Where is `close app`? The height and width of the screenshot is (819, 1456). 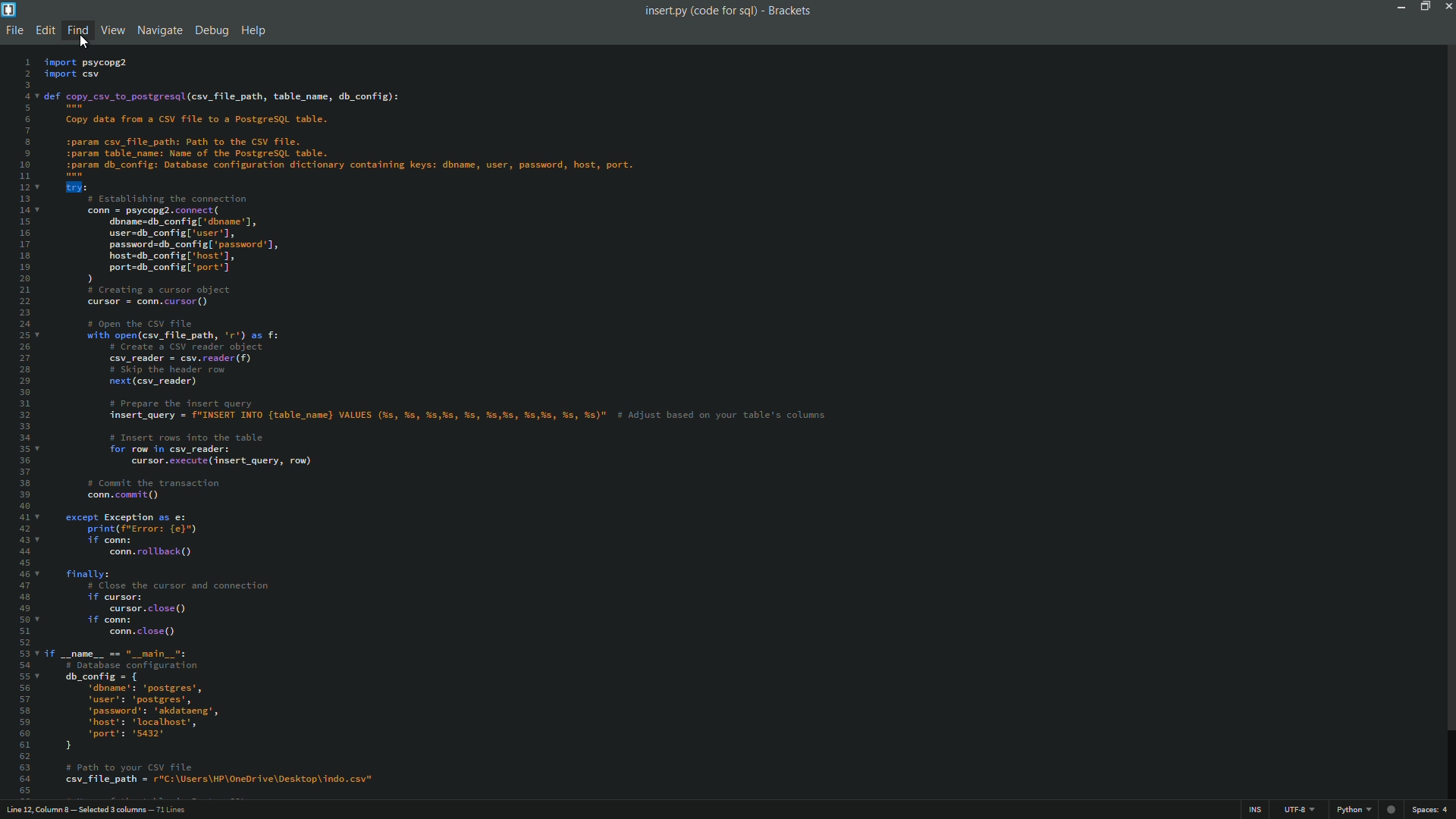 close app is located at coordinates (1447, 6).